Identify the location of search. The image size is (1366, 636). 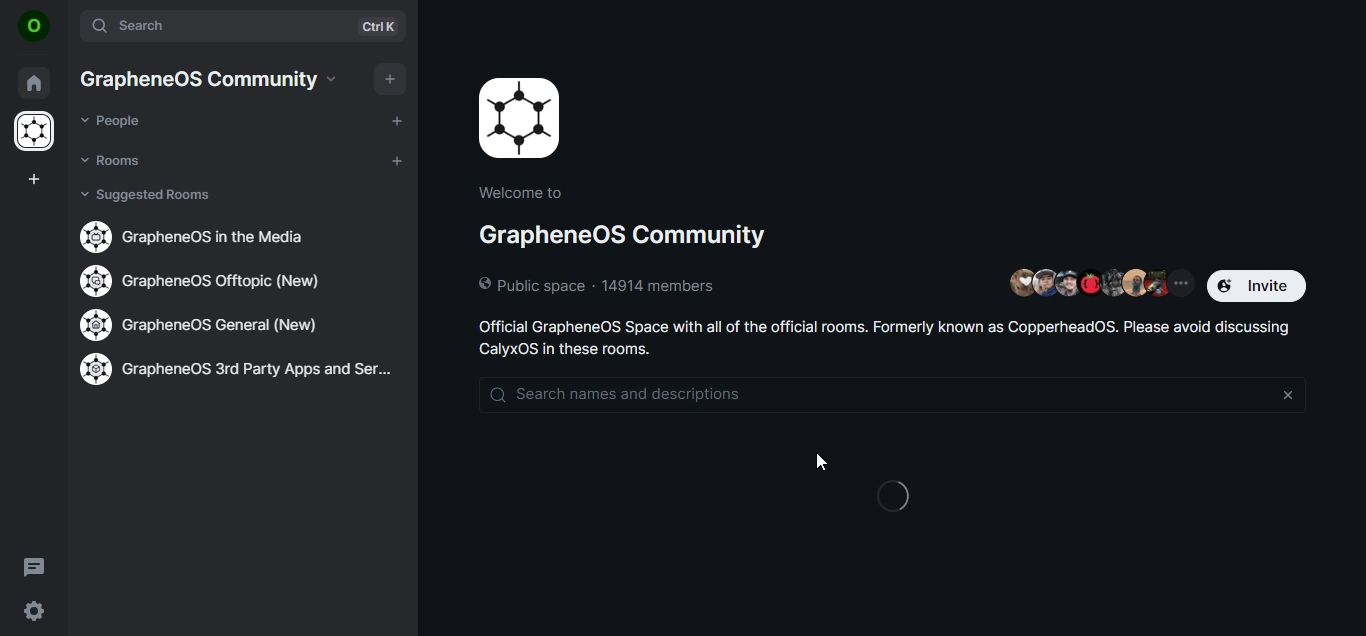
(245, 27).